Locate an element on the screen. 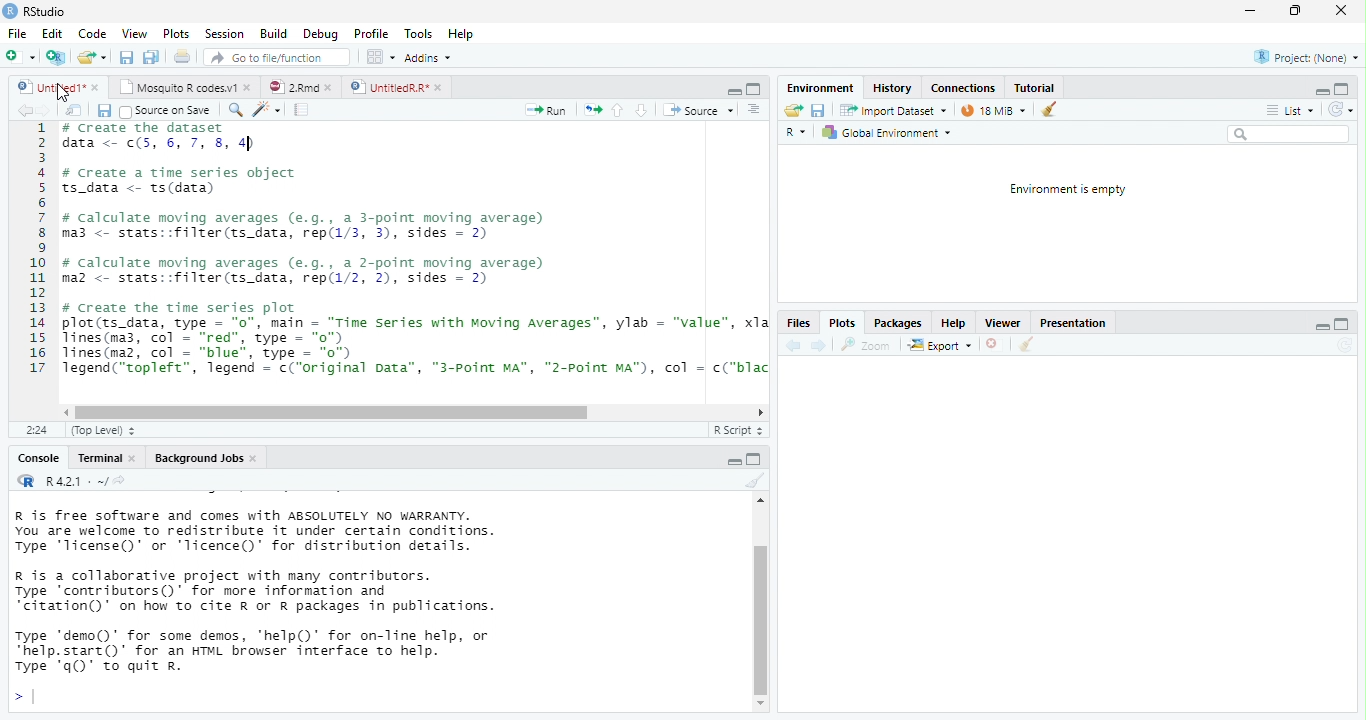 Image resolution: width=1366 pixels, height=720 pixels. Load workspace is located at coordinates (793, 111).